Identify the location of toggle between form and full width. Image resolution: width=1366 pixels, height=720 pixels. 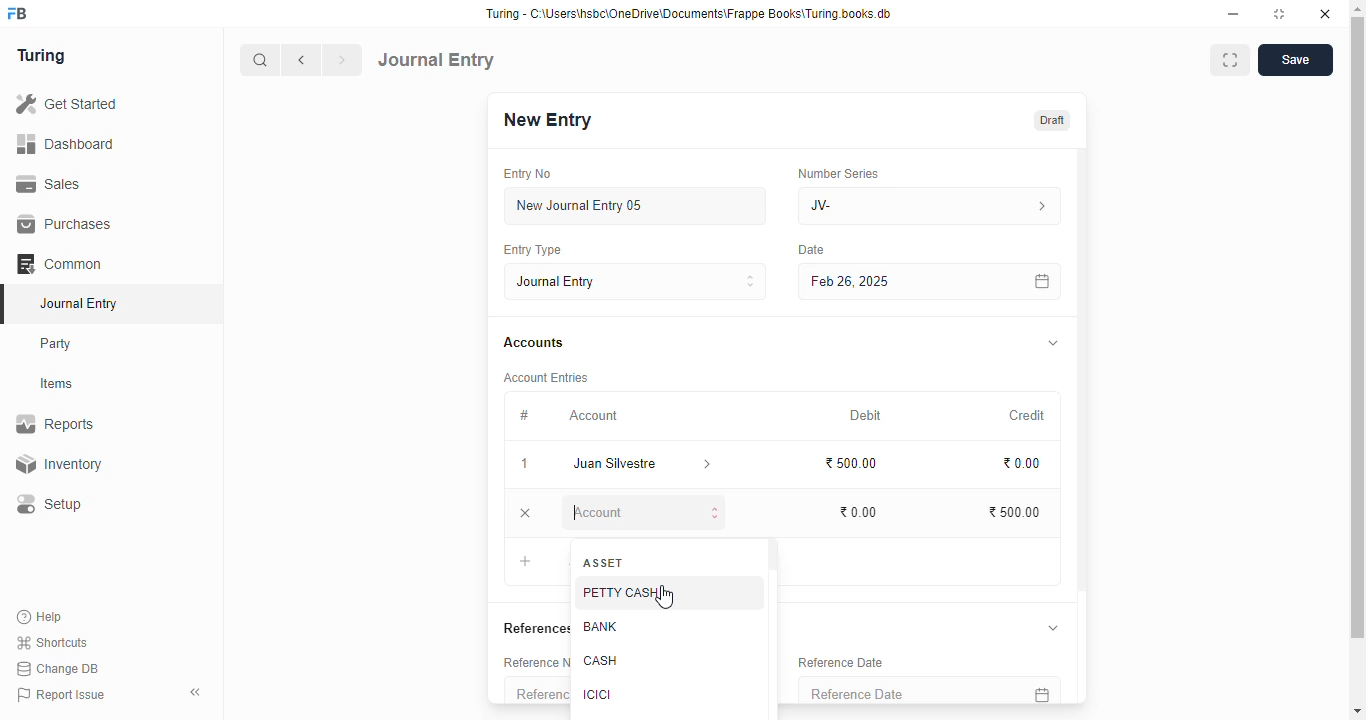
(1229, 60).